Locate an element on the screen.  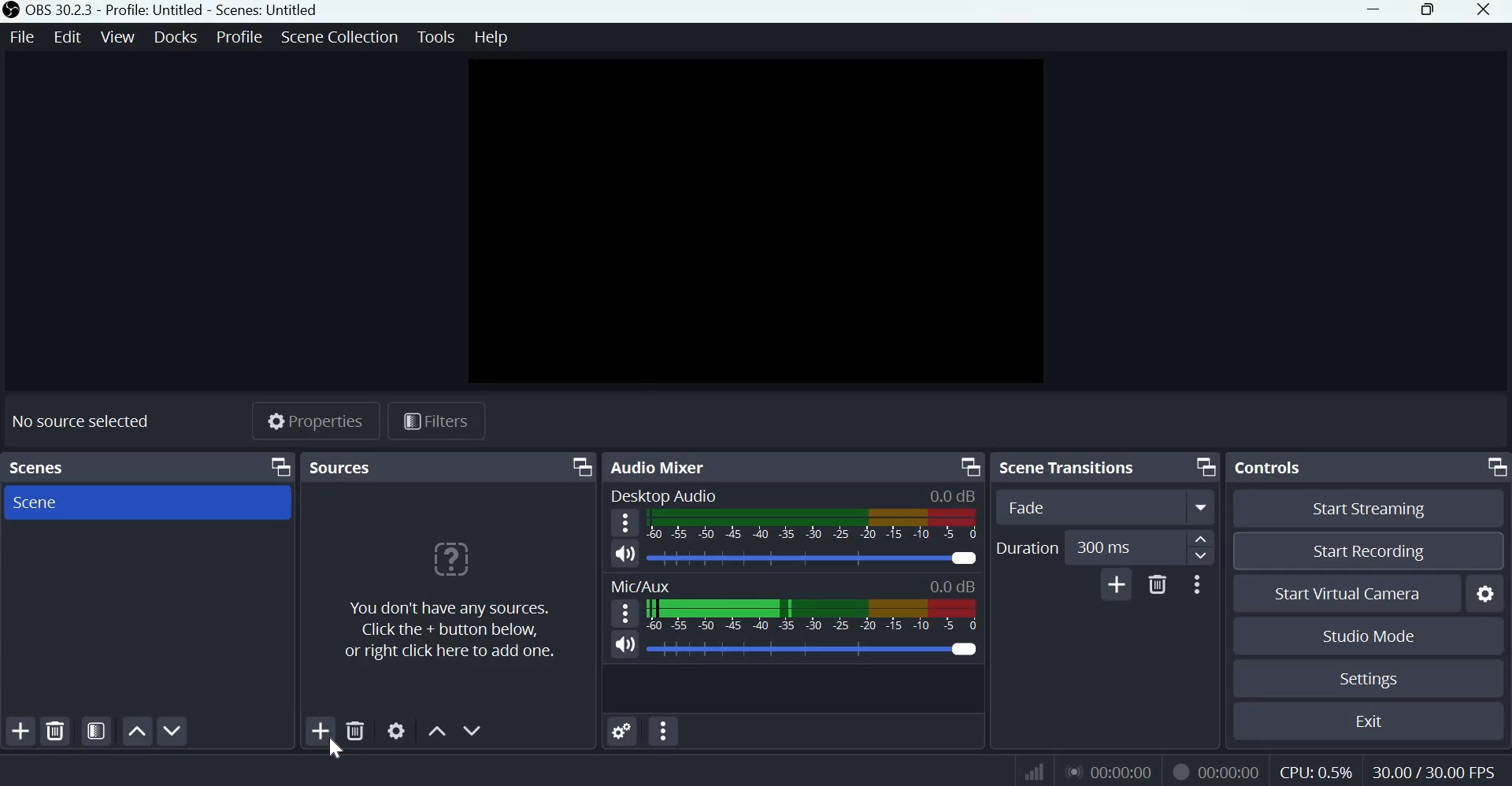
CPU: 0.5% is located at coordinates (1314, 769).